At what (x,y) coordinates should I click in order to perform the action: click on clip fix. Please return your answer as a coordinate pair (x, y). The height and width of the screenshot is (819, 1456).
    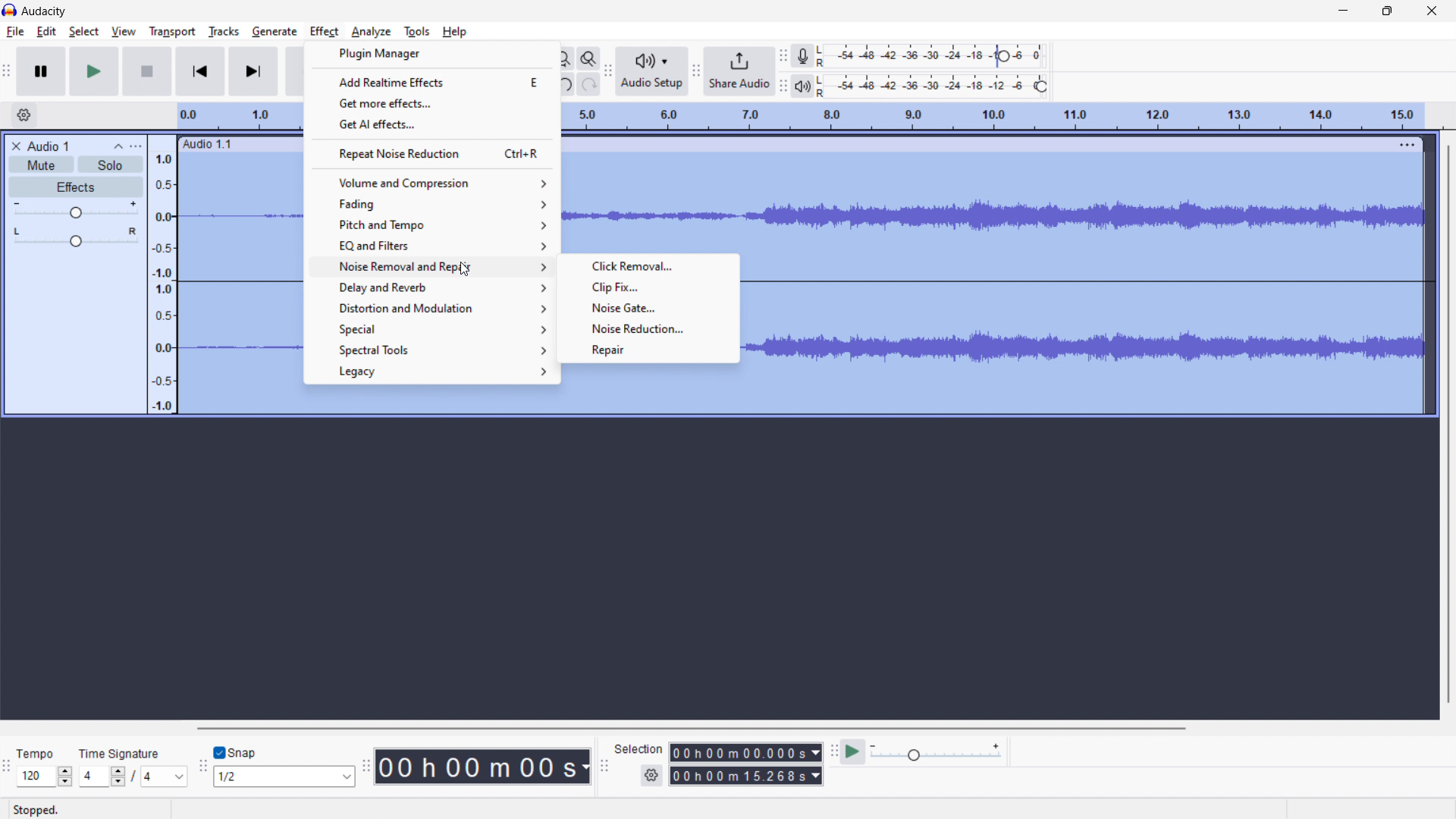
    Looking at the image, I should click on (648, 287).